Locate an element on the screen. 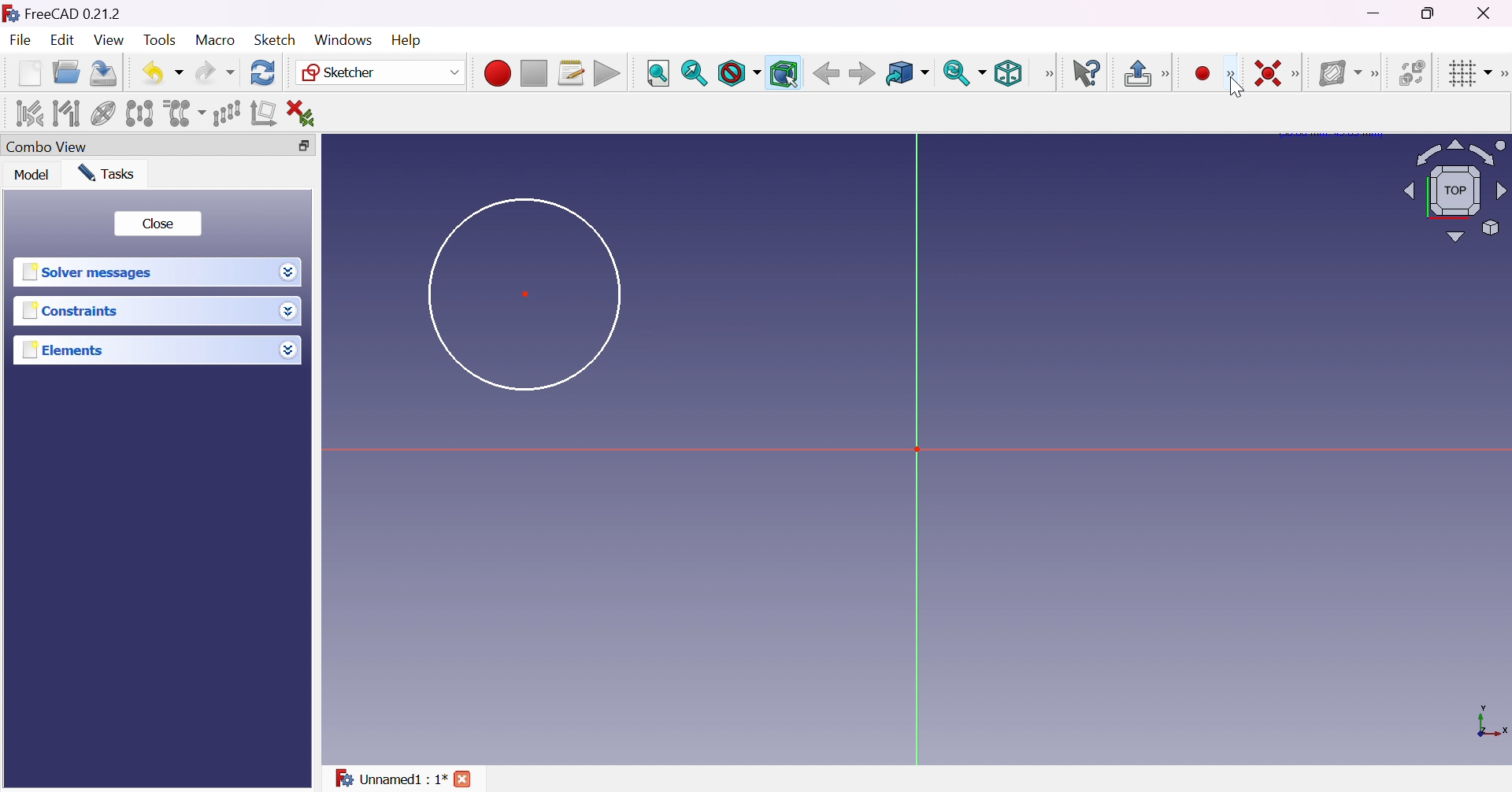 The height and width of the screenshot is (792, 1512). Rectangular array is located at coordinates (226, 112).